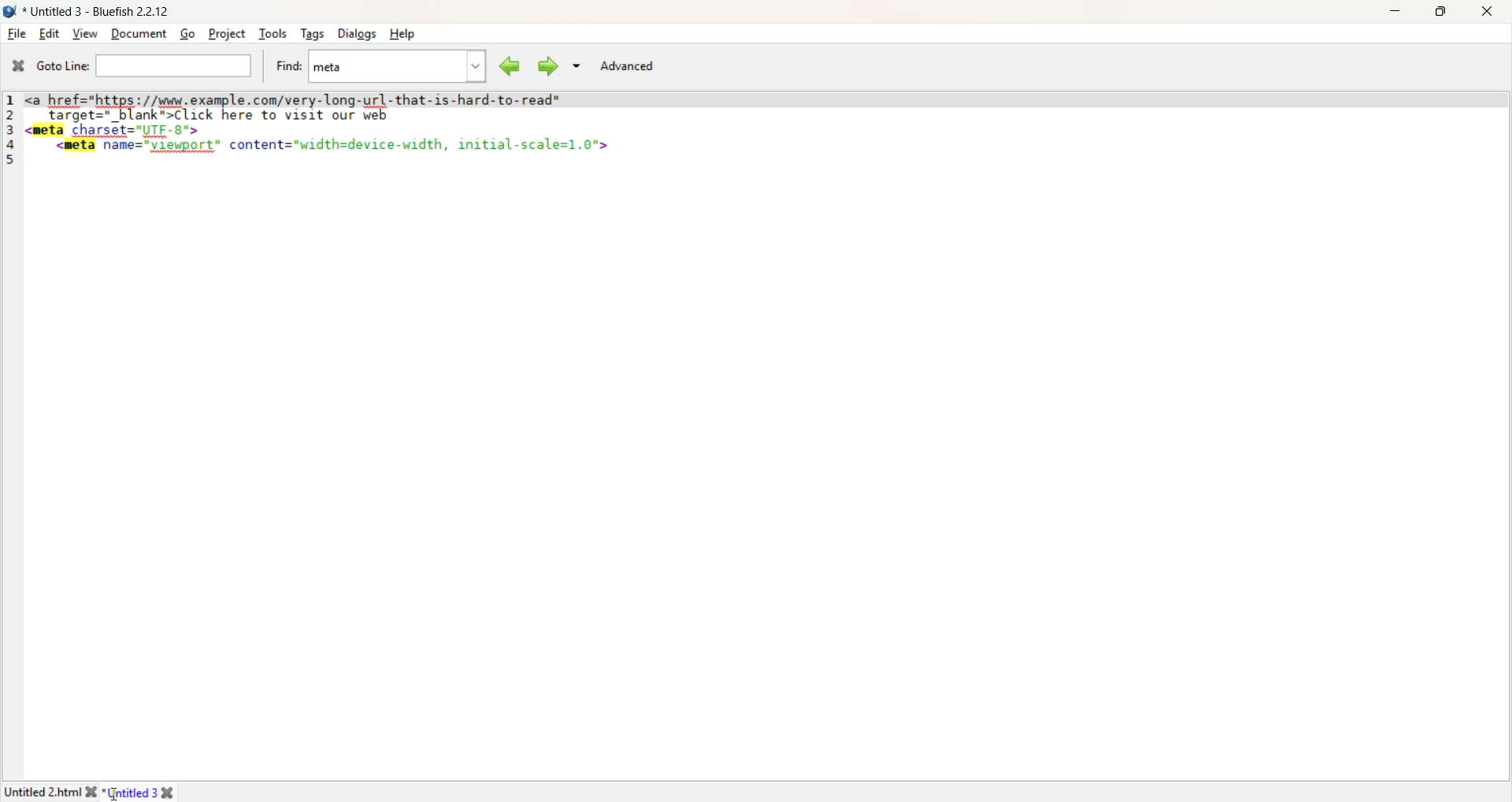  What do you see at coordinates (225, 33) in the screenshot?
I see `Project` at bounding box center [225, 33].